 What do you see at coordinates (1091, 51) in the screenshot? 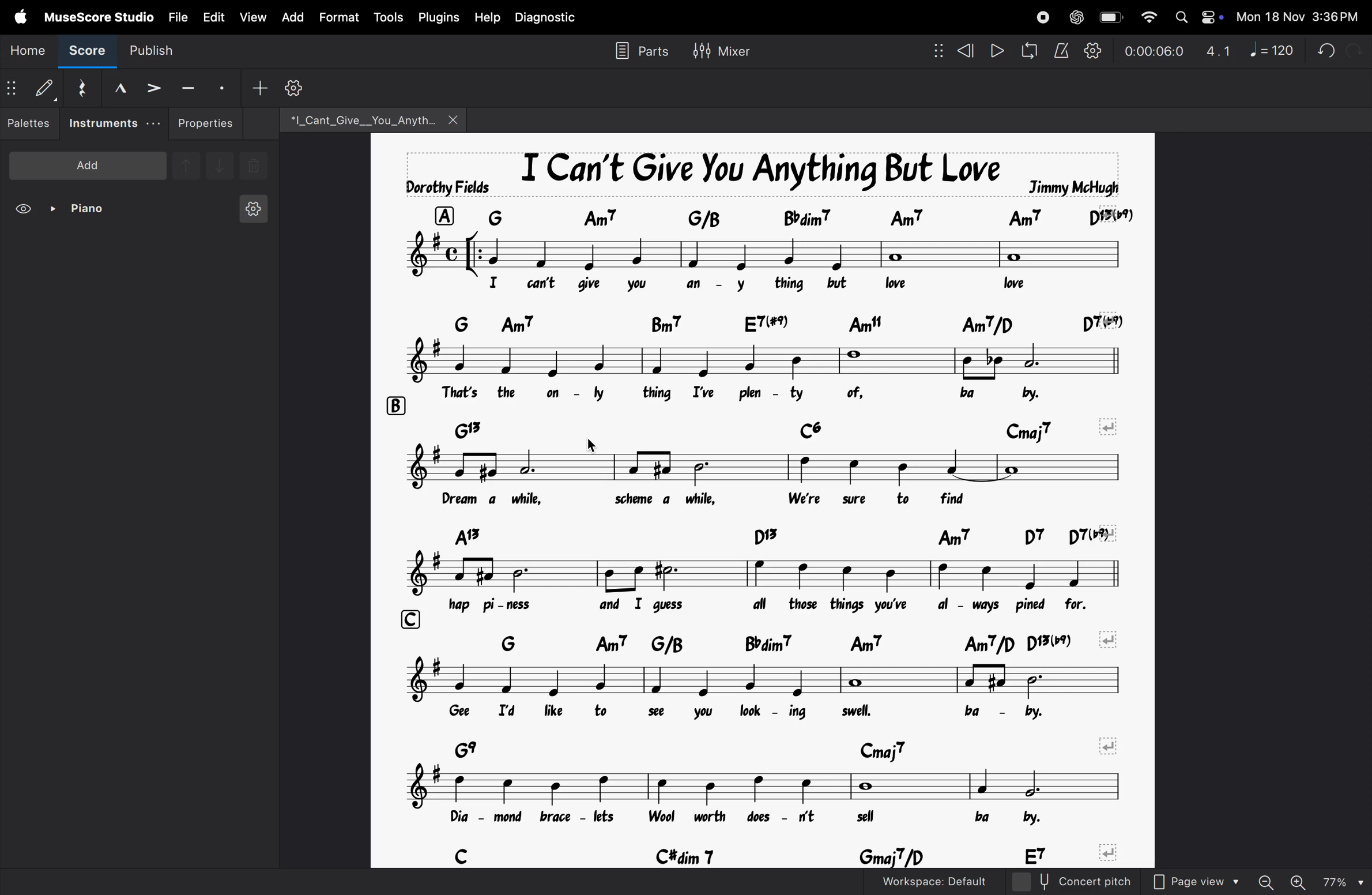
I see `playback settings` at bounding box center [1091, 51].